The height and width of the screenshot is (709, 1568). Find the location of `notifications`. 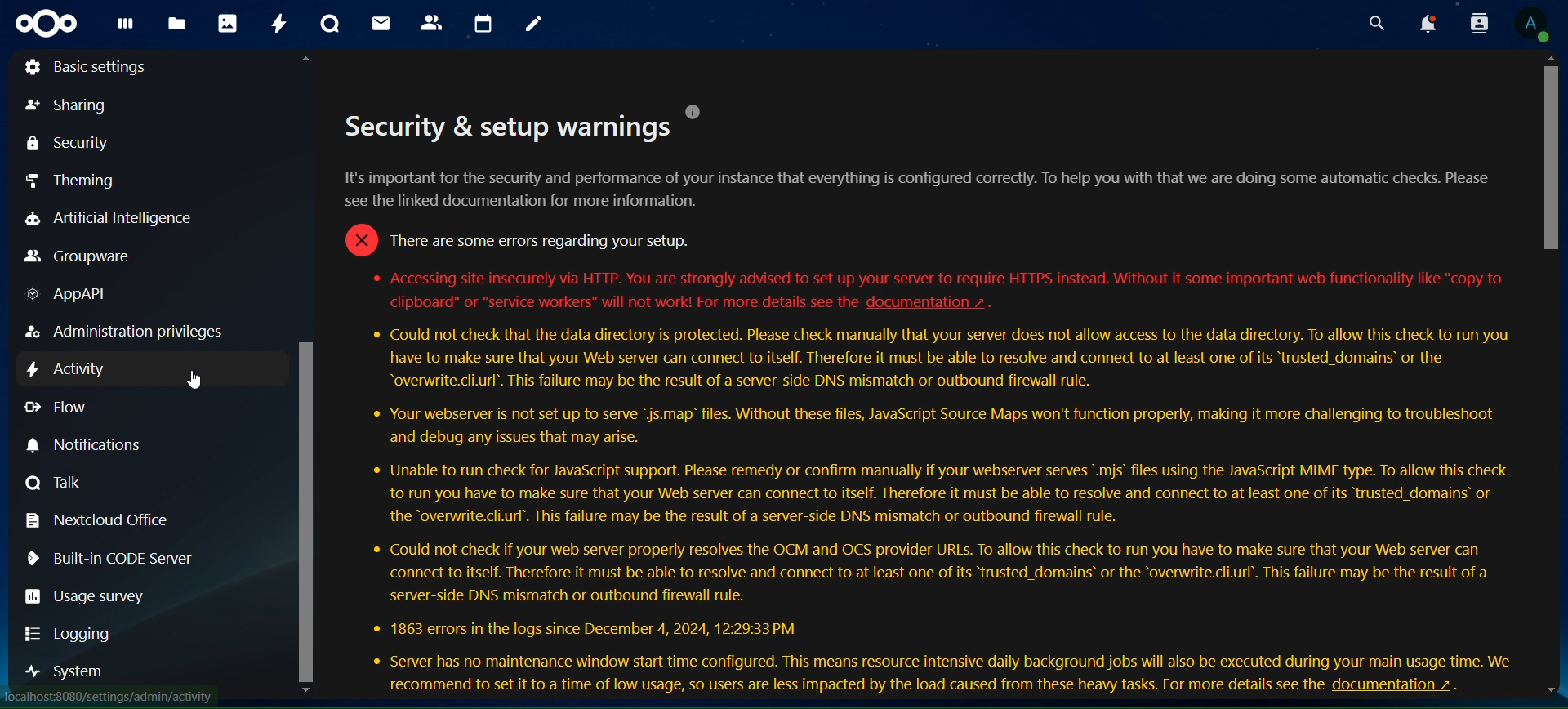

notifications is located at coordinates (89, 444).